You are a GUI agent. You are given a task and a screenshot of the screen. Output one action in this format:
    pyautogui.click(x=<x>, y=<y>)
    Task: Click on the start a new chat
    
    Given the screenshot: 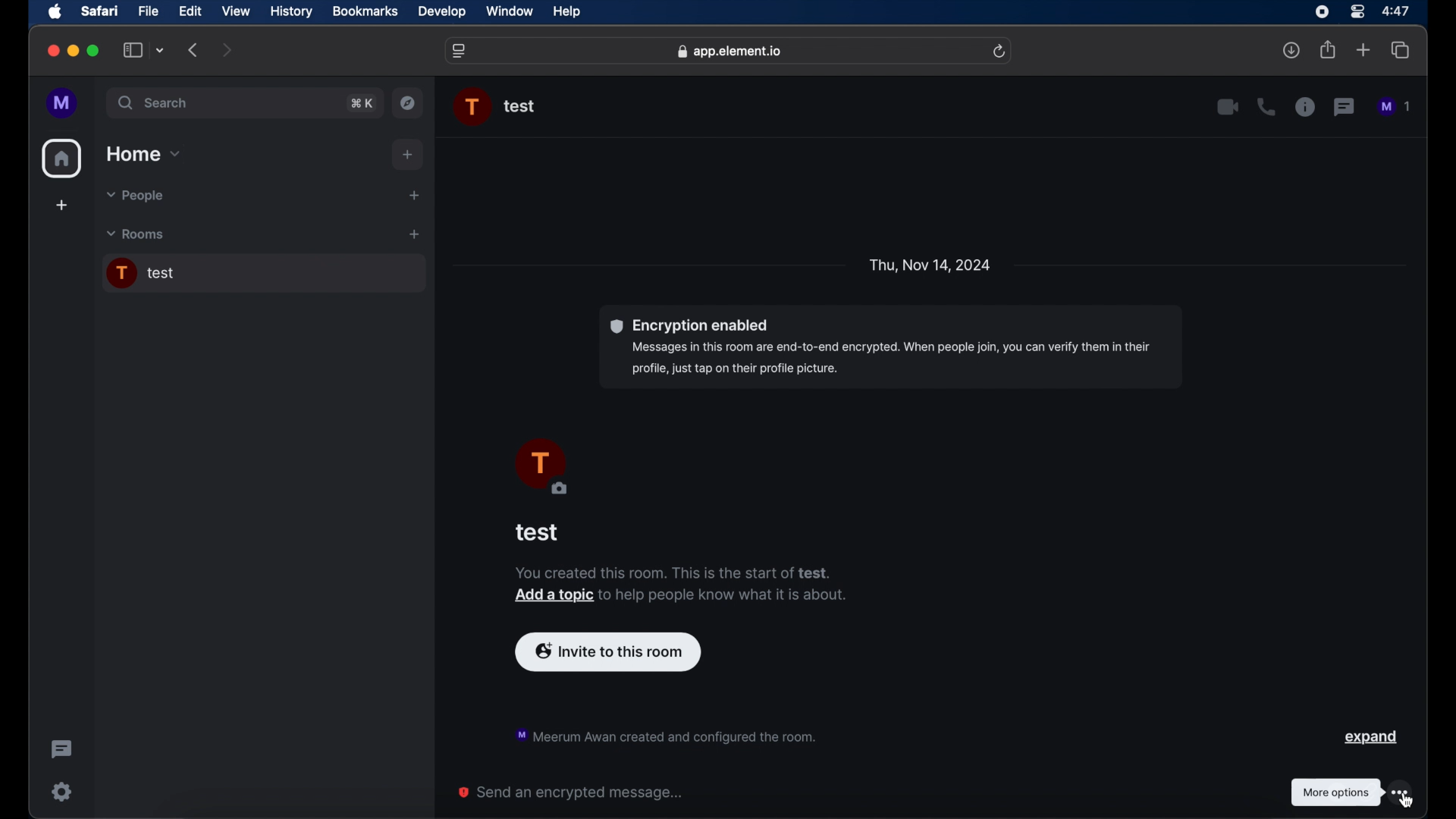 What is the action you would take?
    pyautogui.click(x=414, y=195)
    